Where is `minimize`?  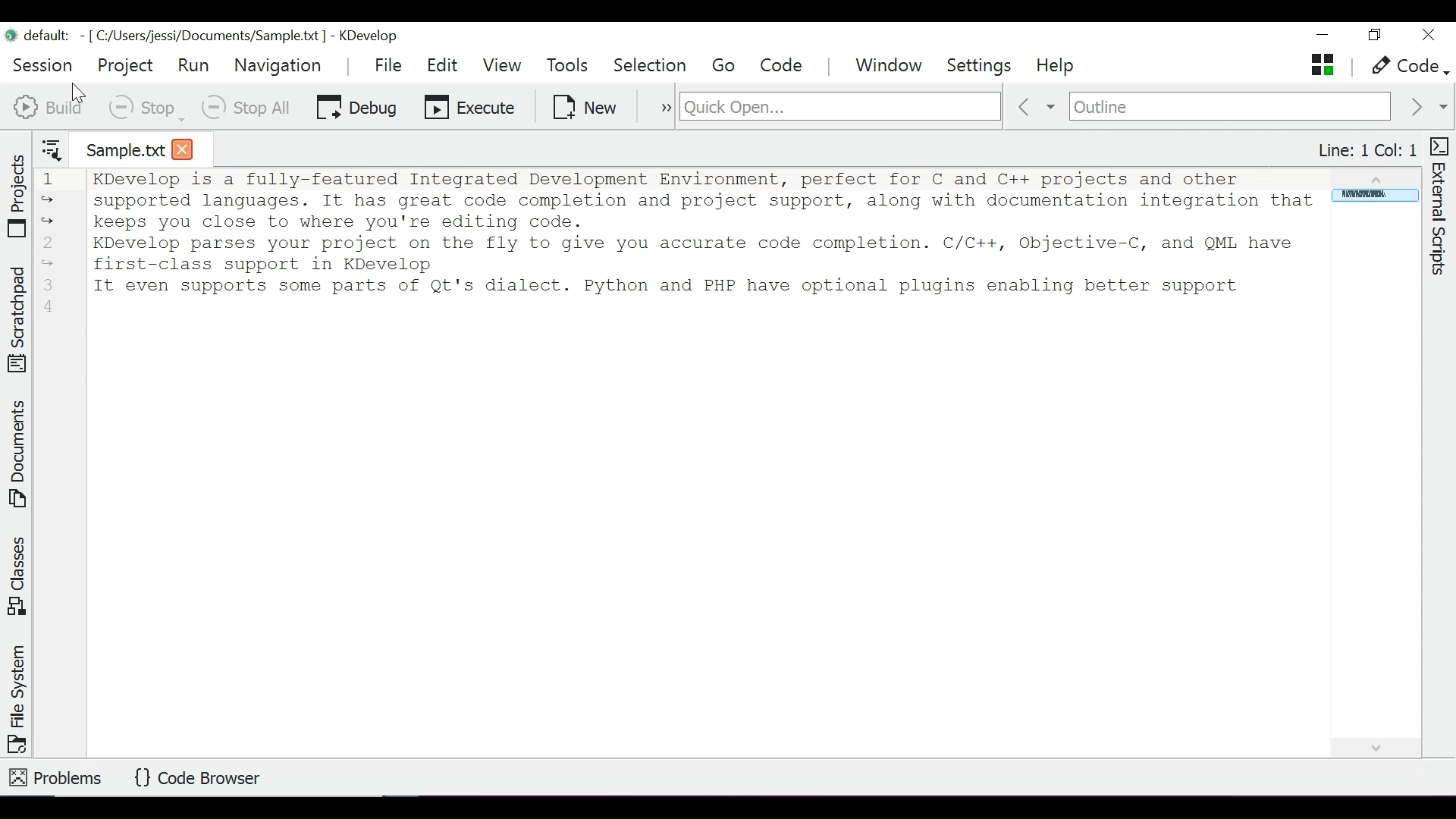 minimize is located at coordinates (1325, 37).